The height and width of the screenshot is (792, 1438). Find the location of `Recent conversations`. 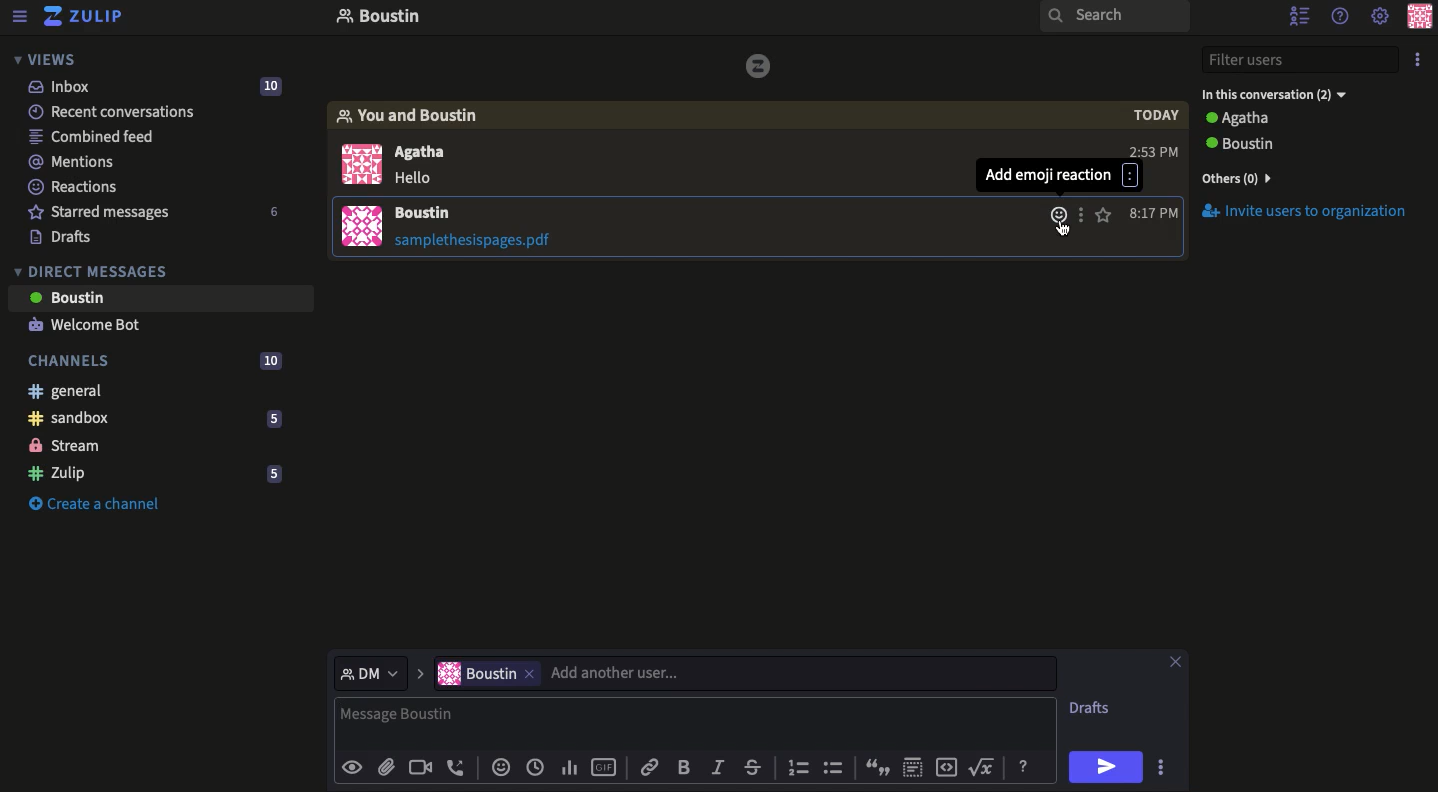

Recent conversations is located at coordinates (113, 112).